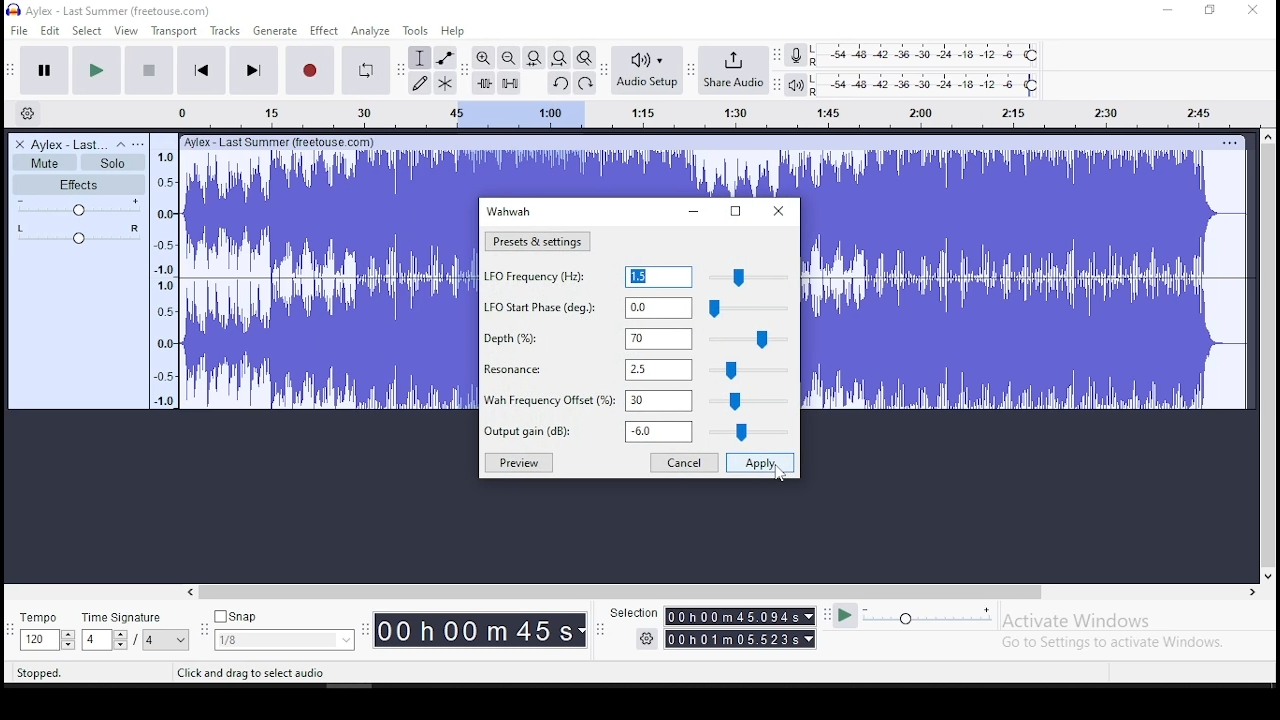  What do you see at coordinates (372, 31) in the screenshot?
I see `analyze` at bounding box center [372, 31].